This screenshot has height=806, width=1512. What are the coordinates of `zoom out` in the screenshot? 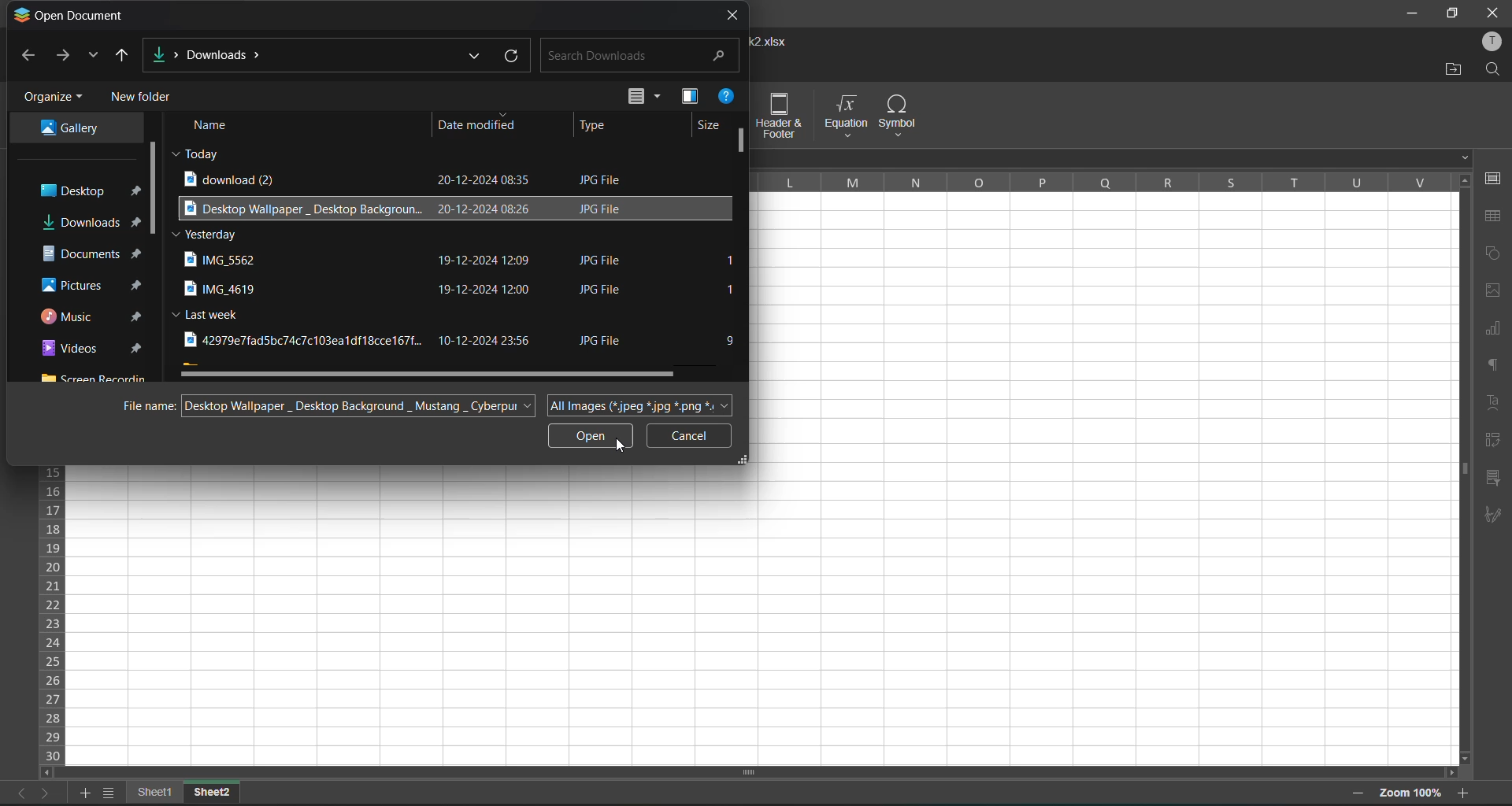 It's located at (1361, 795).